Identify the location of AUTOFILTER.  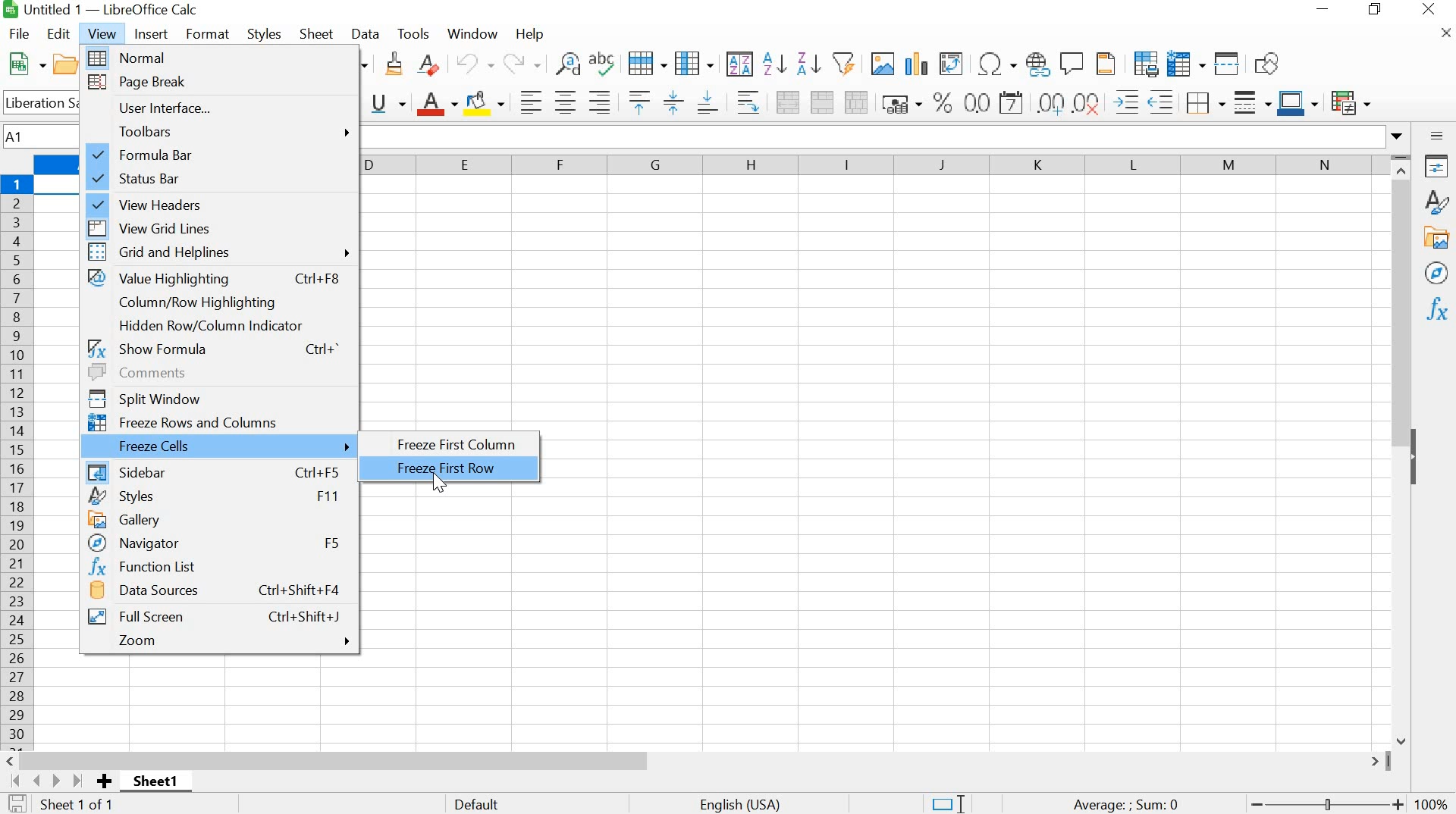
(843, 61).